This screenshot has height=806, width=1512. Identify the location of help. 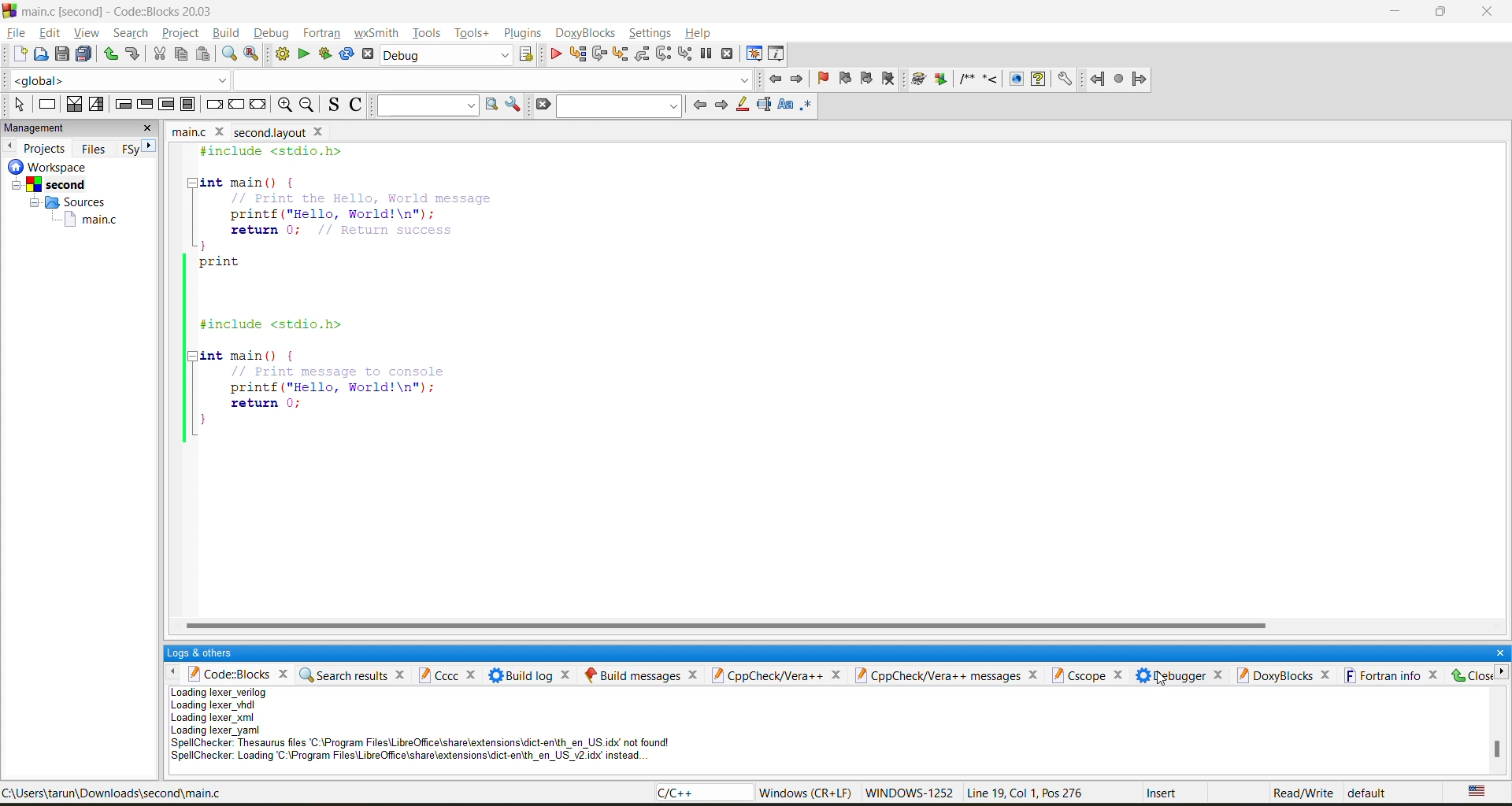
(703, 35).